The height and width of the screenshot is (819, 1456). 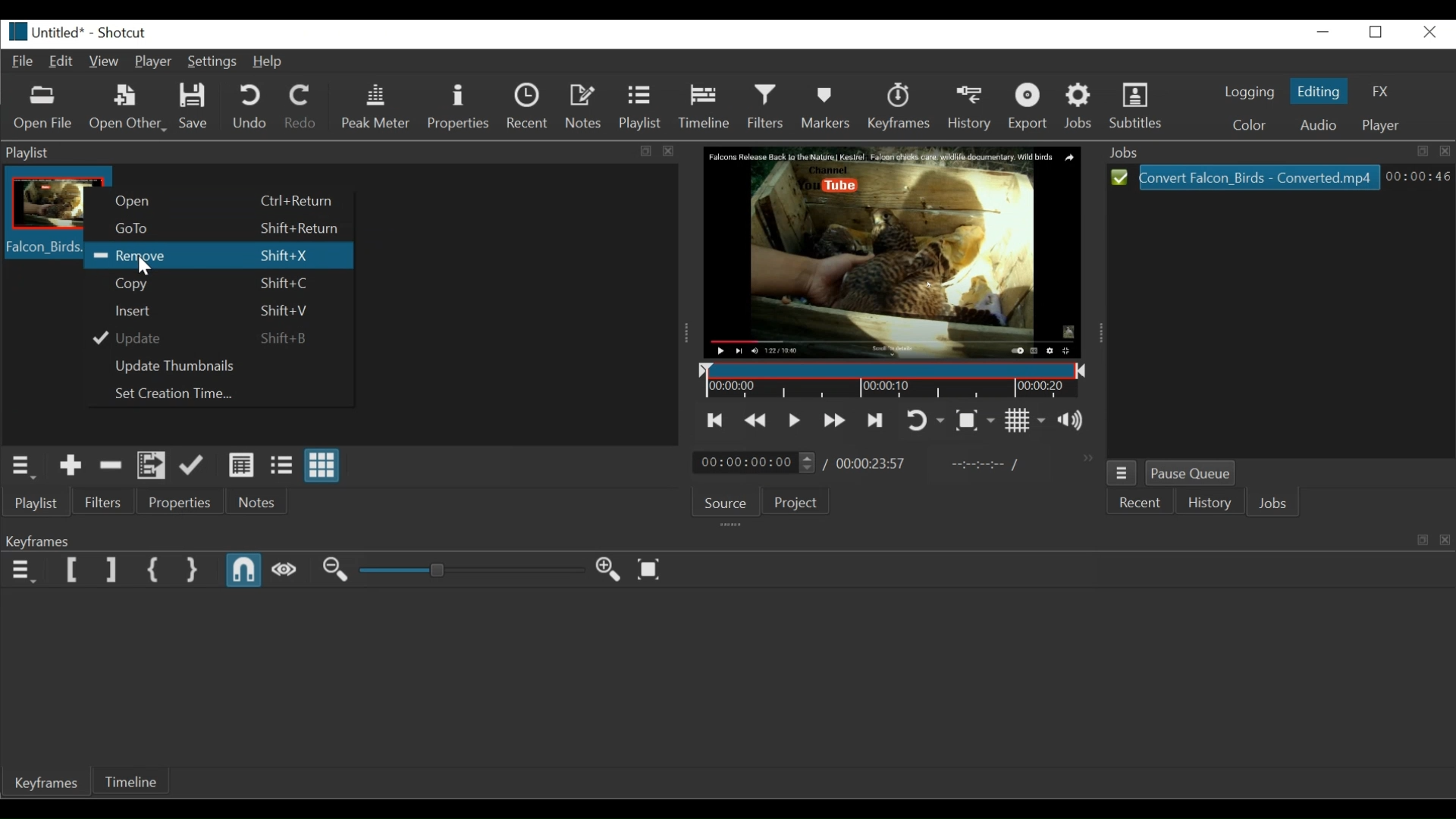 What do you see at coordinates (459, 107) in the screenshot?
I see `Properties` at bounding box center [459, 107].